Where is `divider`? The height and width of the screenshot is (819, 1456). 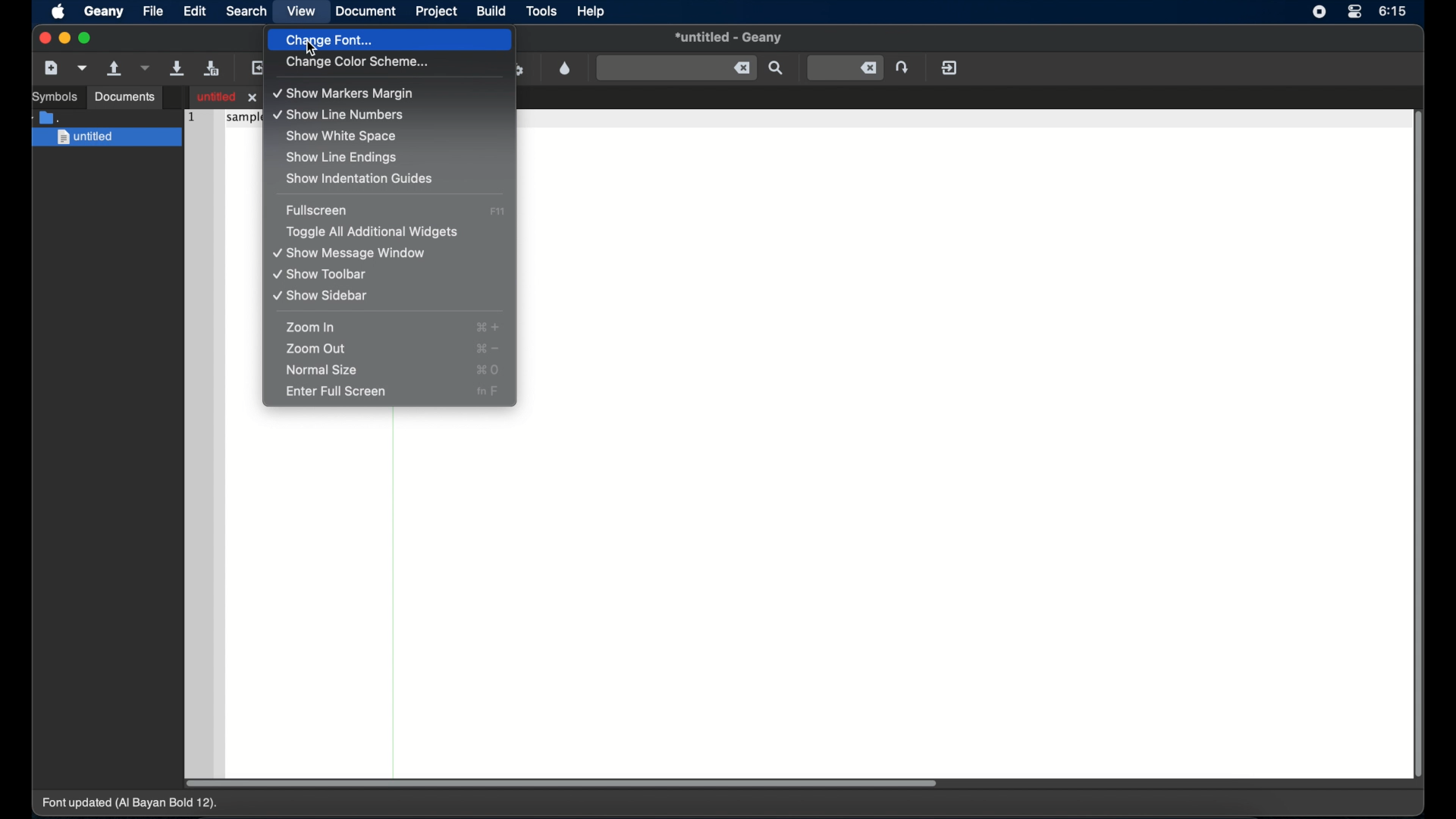
divider is located at coordinates (394, 592).